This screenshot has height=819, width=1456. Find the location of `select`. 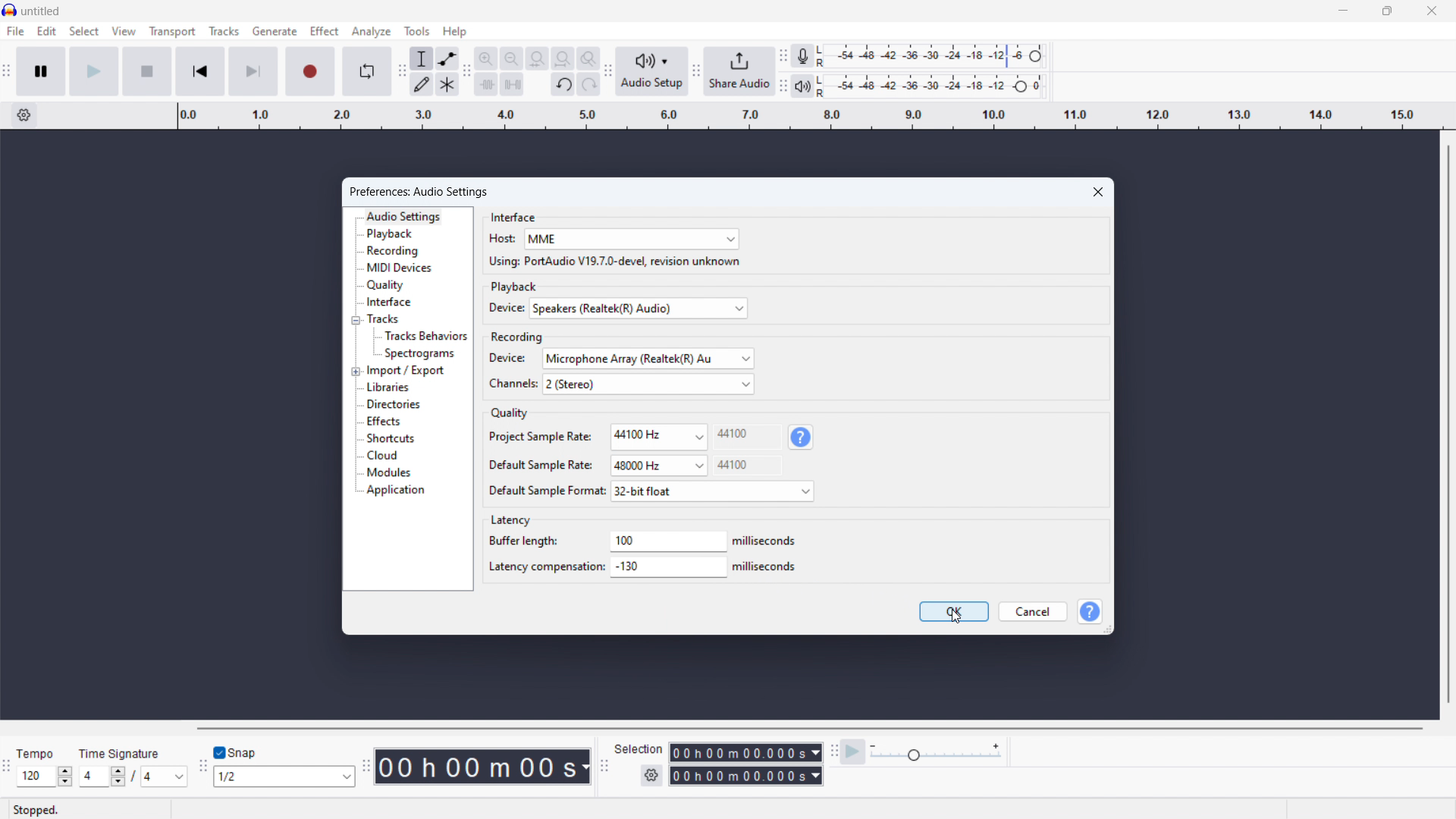

select is located at coordinates (83, 31).